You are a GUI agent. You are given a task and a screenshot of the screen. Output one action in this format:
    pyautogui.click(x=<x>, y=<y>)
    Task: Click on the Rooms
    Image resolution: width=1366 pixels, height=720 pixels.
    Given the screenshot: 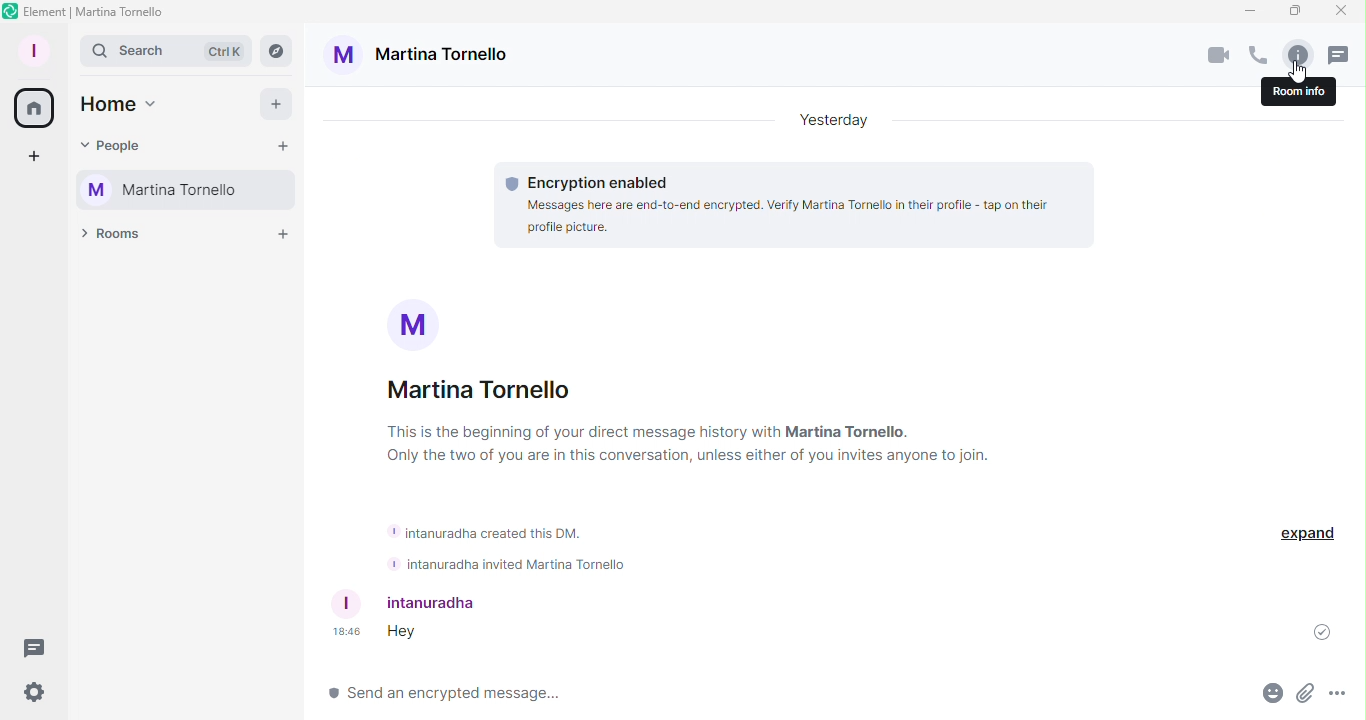 What is the action you would take?
    pyautogui.click(x=108, y=235)
    